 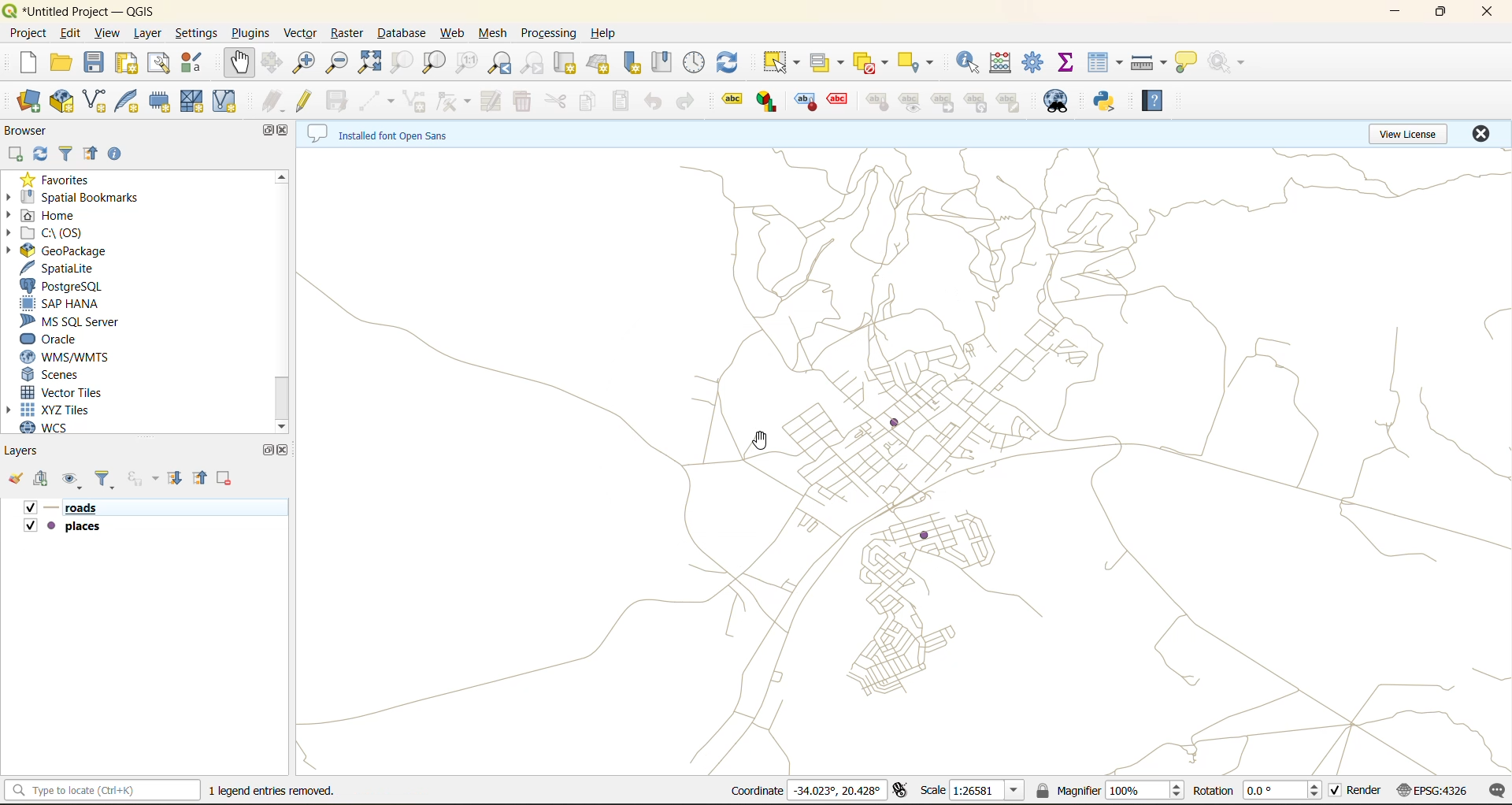 I want to click on remove, so click(x=224, y=479).